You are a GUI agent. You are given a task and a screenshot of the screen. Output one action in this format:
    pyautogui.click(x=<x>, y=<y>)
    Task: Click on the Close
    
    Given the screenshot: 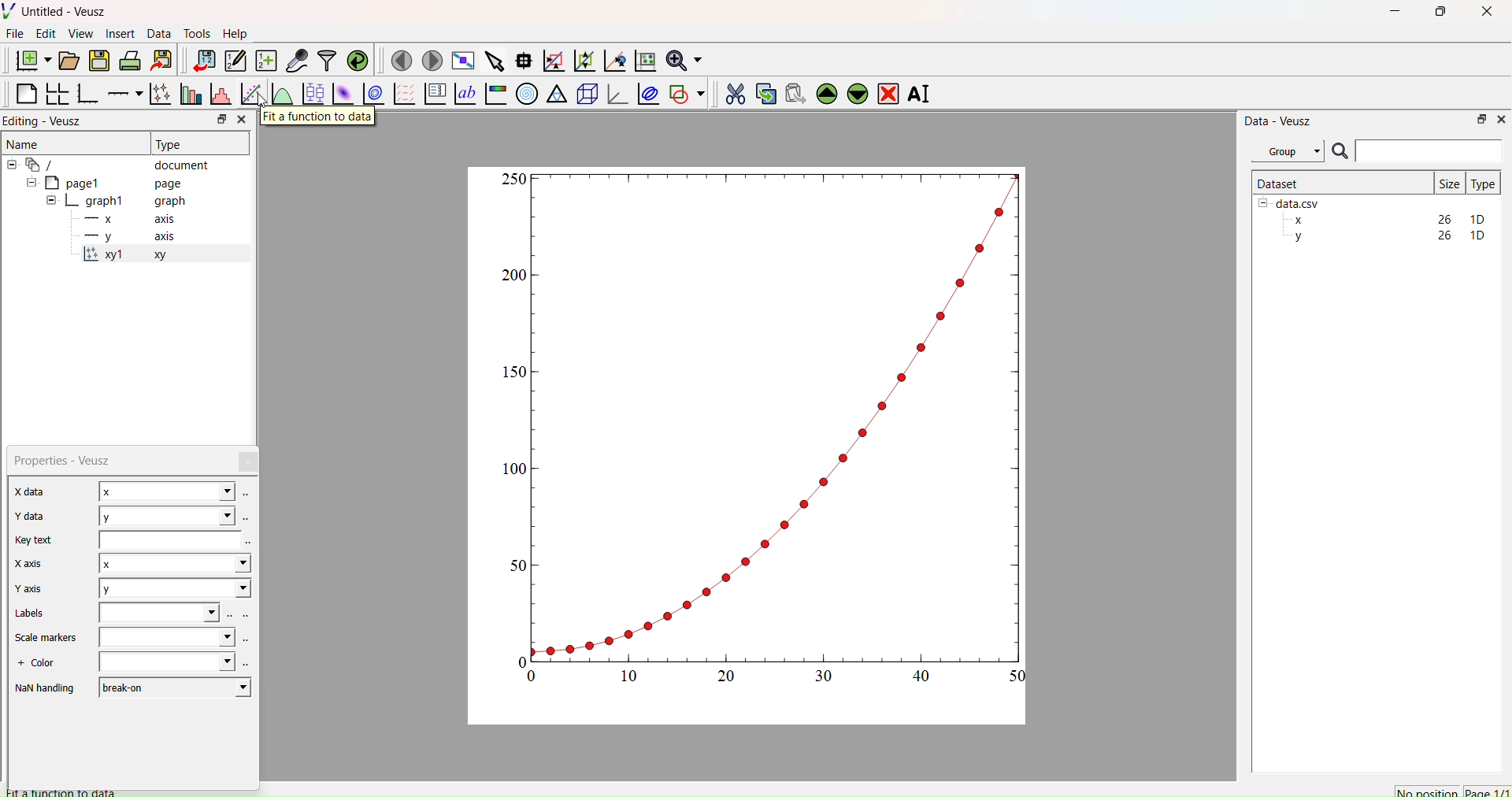 What is the action you would take?
    pyautogui.click(x=241, y=120)
    